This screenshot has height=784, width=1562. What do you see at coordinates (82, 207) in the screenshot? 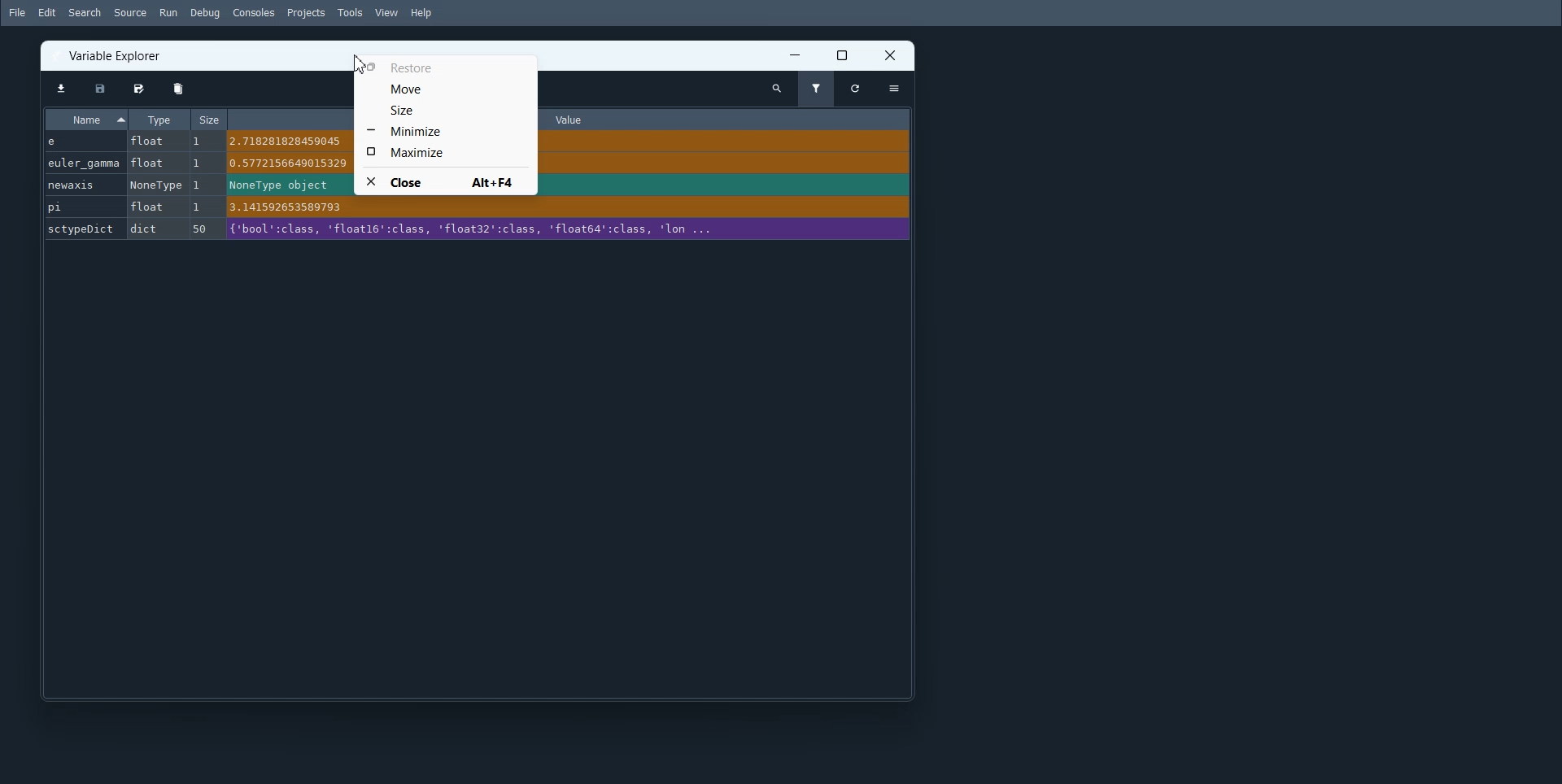
I see `pi` at bounding box center [82, 207].